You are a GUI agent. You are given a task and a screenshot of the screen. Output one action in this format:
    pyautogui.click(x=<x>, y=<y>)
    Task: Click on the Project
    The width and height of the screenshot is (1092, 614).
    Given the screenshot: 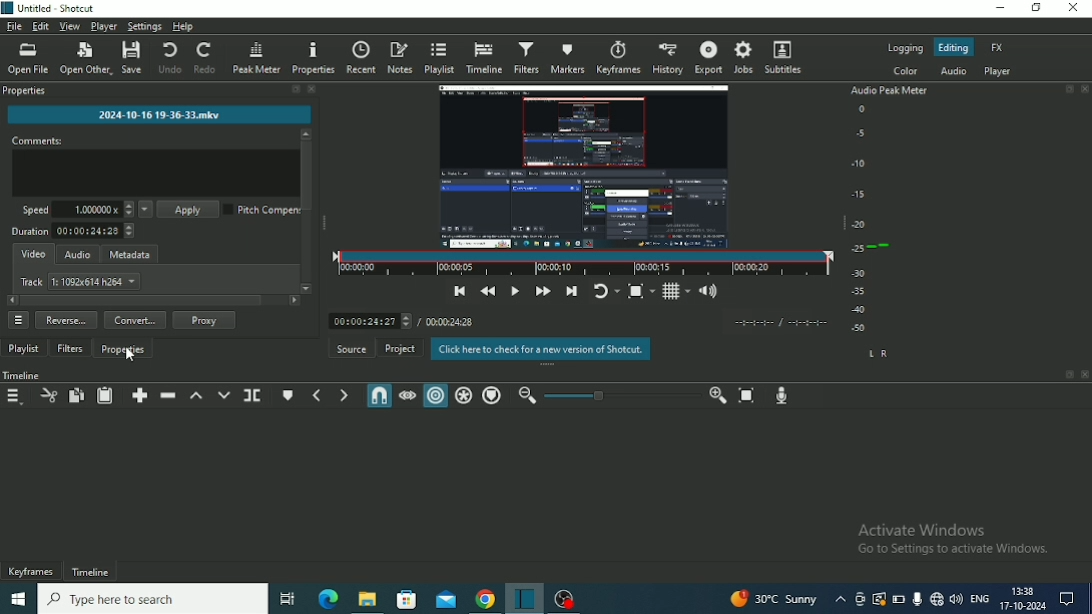 What is the action you would take?
    pyautogui.click(x=399, y=348)
    